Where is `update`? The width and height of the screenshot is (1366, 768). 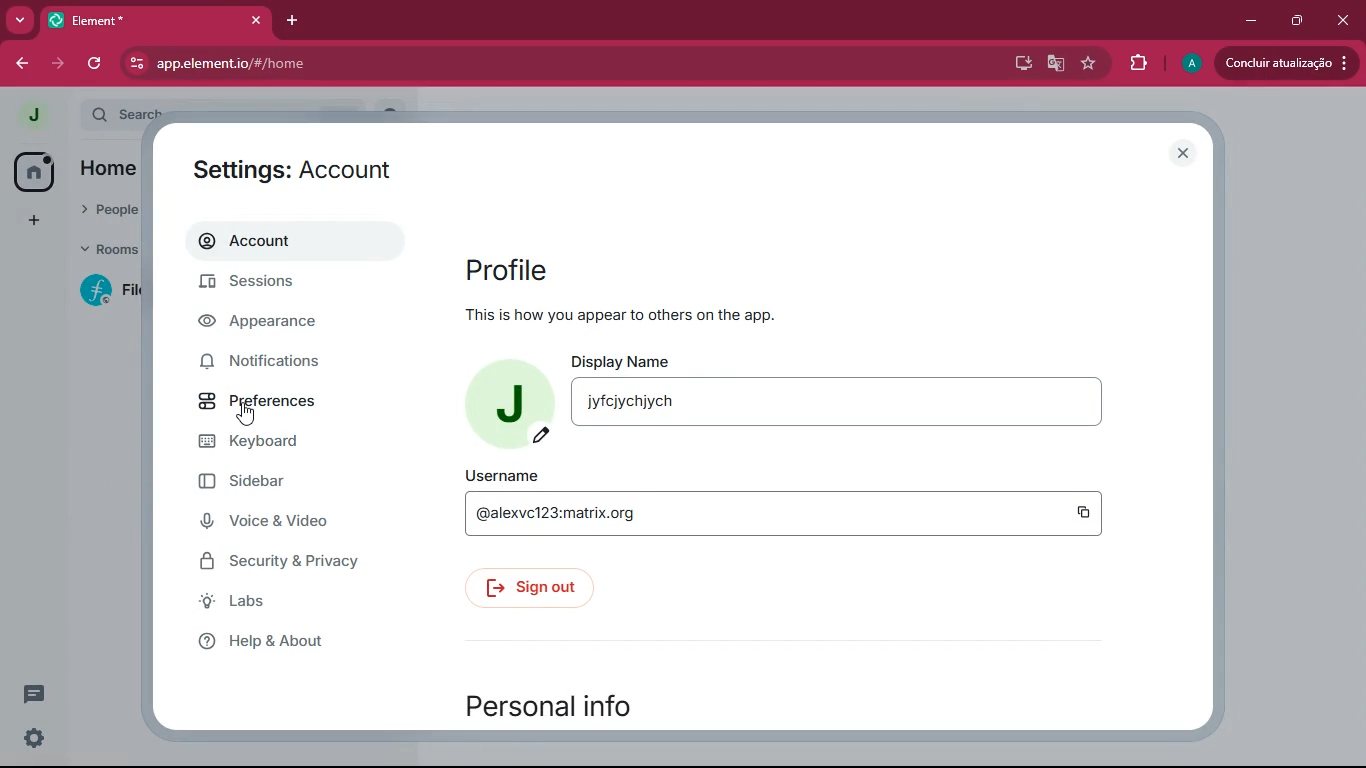 update is located at coordinates (1284, 62).